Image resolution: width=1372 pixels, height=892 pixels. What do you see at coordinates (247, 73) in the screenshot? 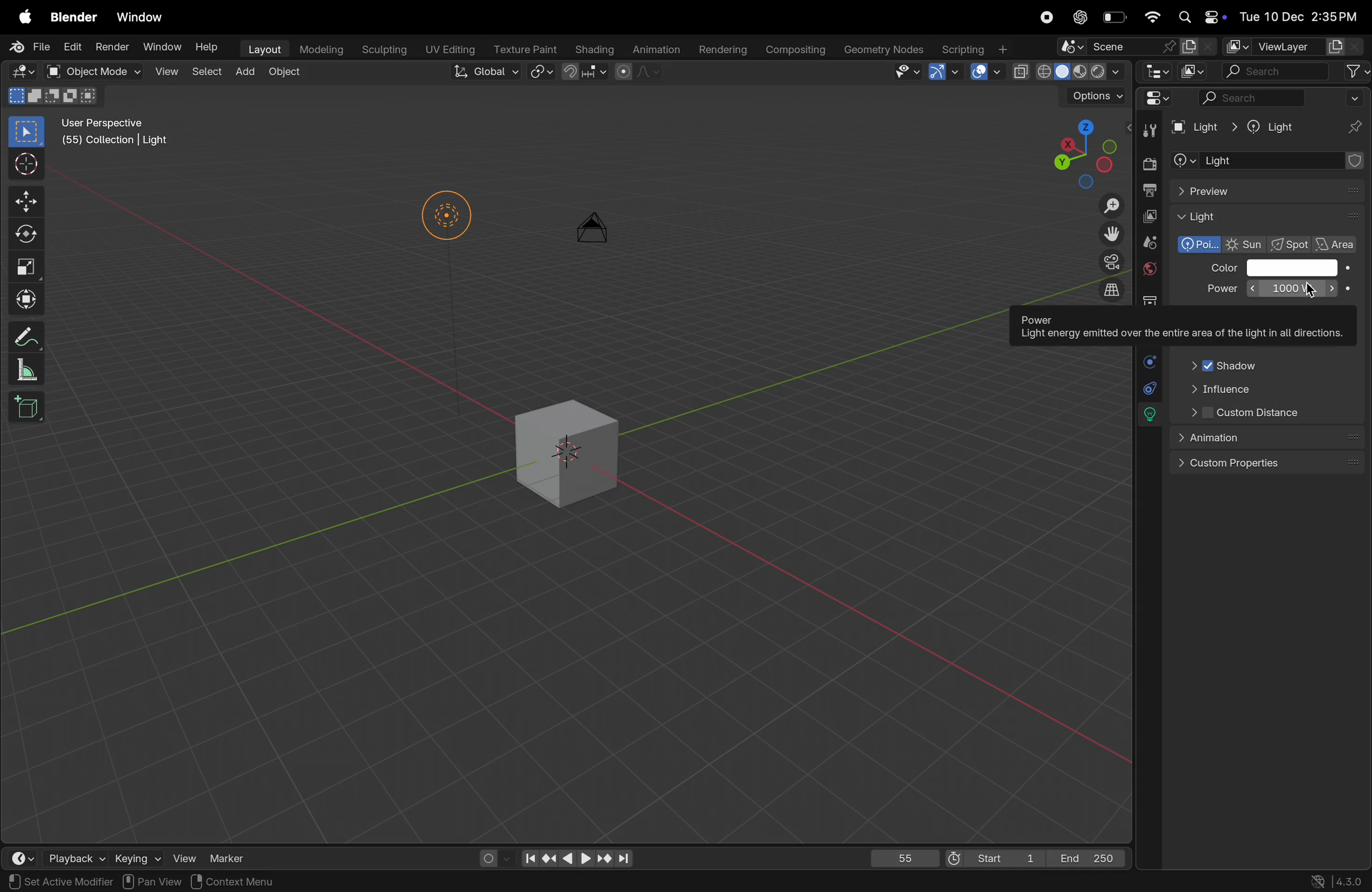
I see `add` at bounding box center [247, 73].